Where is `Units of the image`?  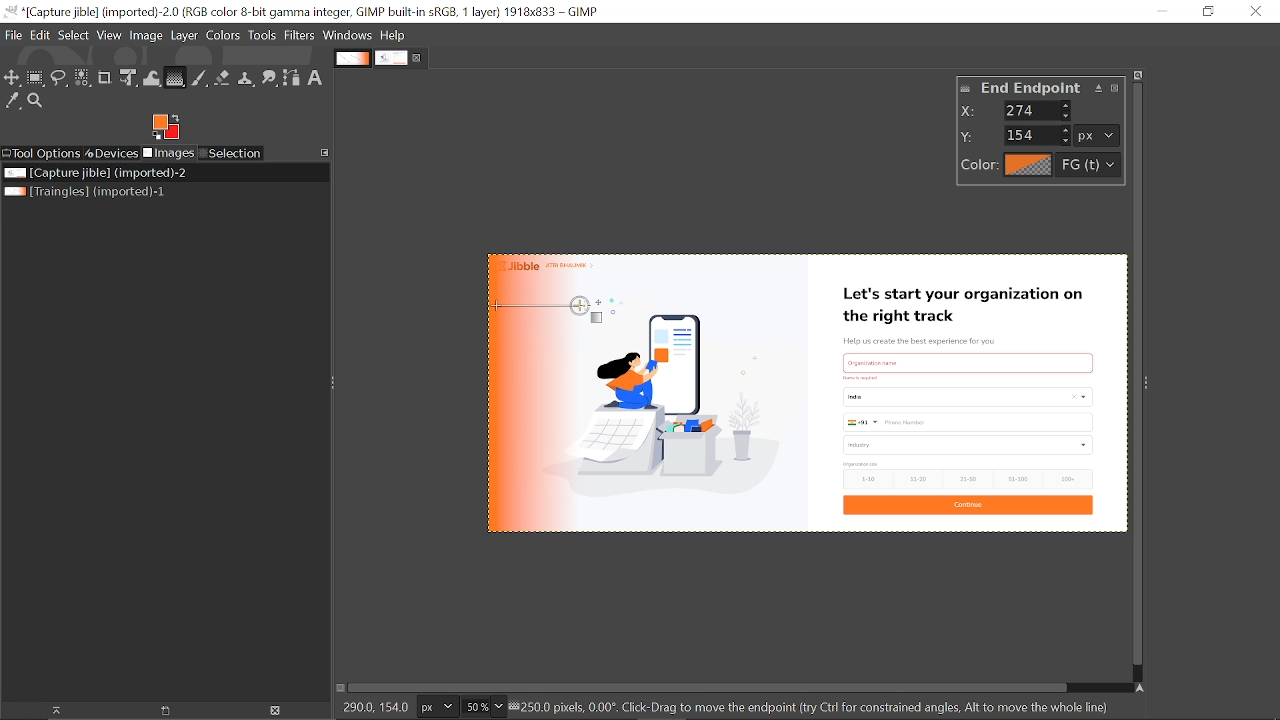
Units of the image is located at coordinates (440, 707).